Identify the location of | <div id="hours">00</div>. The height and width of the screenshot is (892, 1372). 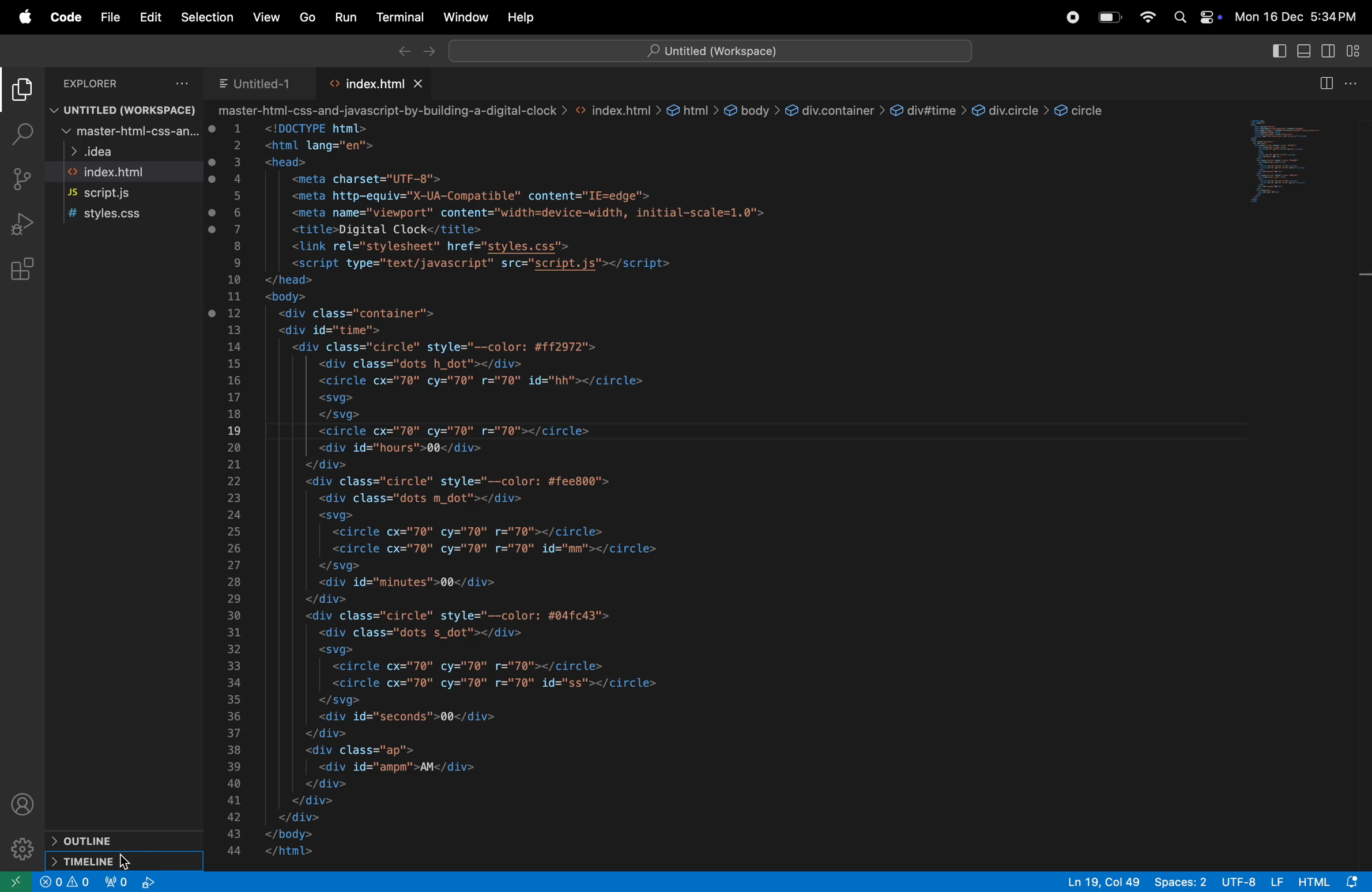
(401, 448).